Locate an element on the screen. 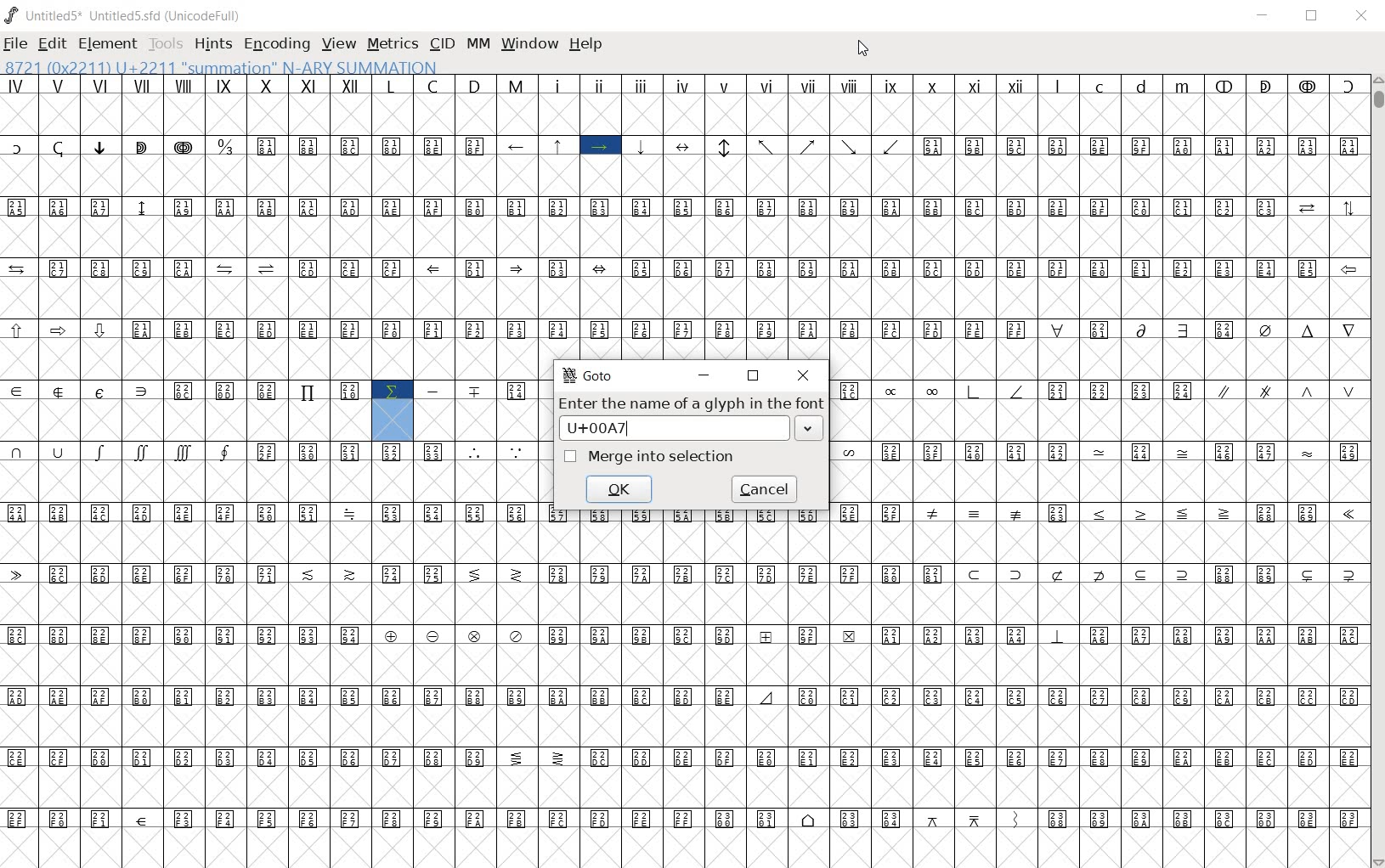 The width and height of the screenshot is (1385, 868). Untitled1 Untitled1.sfd (UnicodeFull) is located at coordinates (122, 15).